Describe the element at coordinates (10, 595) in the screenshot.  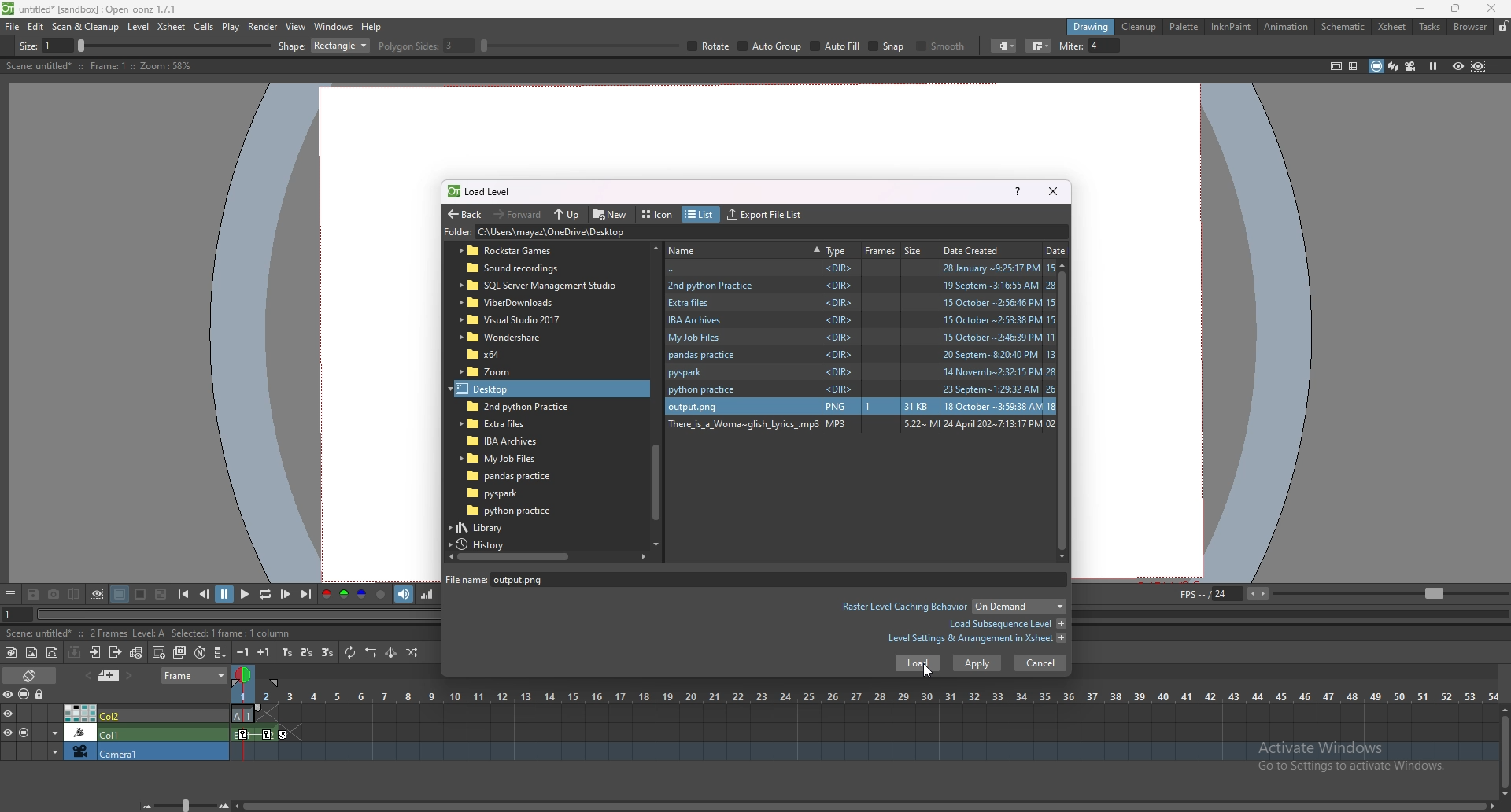
I see `options` at that location.